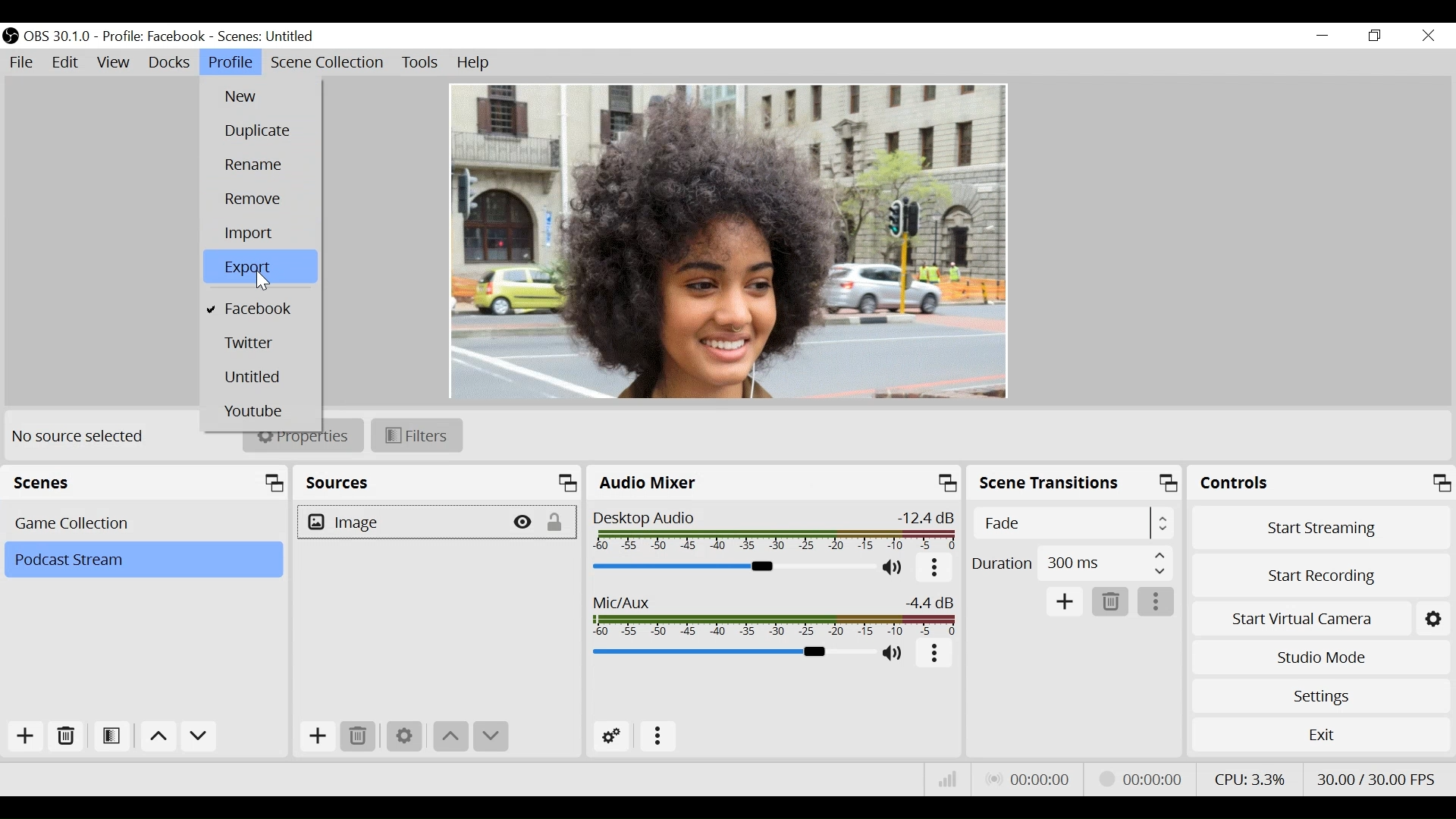 This screenshot has width=1456, height=819. Describe the element at coordinates (229, 62) in the screenshot. I see `Profile` at that location.